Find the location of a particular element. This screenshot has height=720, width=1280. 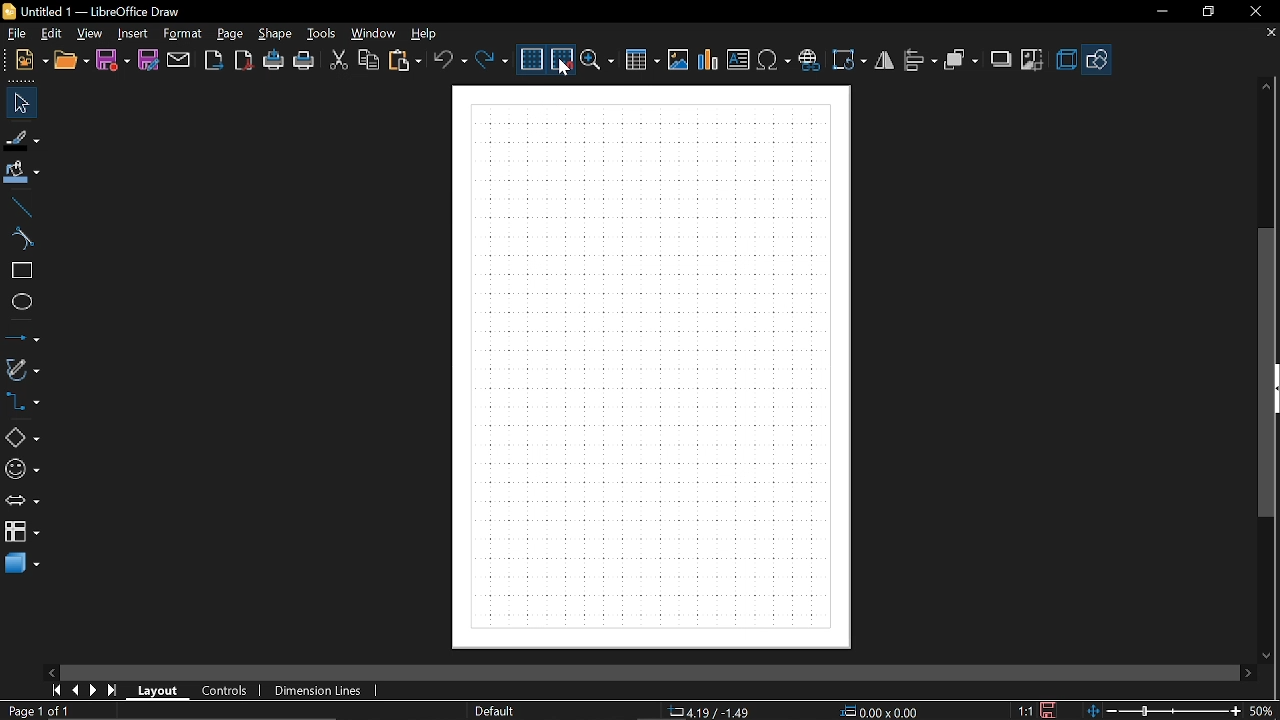

attach is located at coordinates (179, 61).